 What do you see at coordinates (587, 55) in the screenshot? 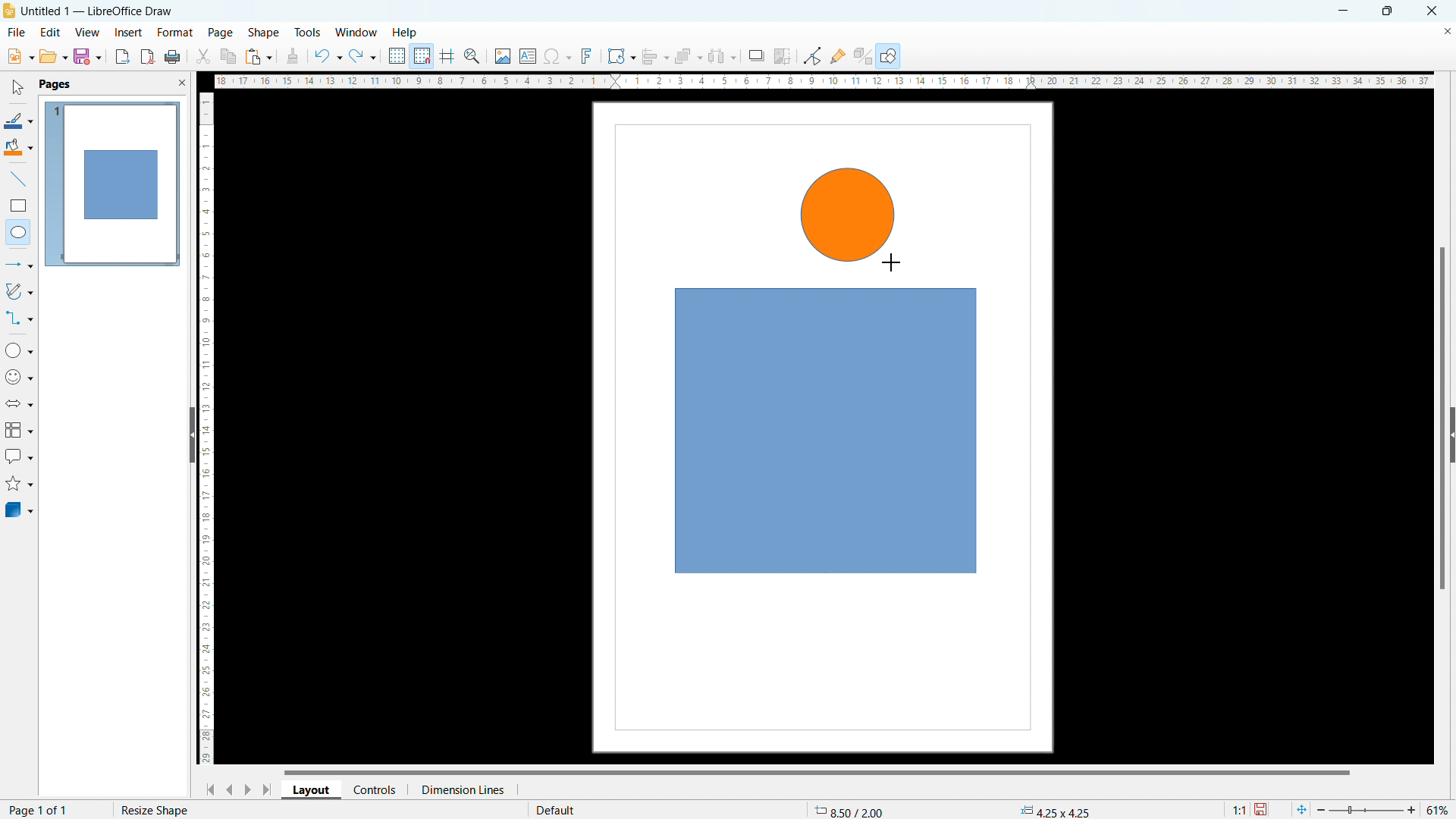
I see `insert fontwork text` at bounding box center [587, 55].